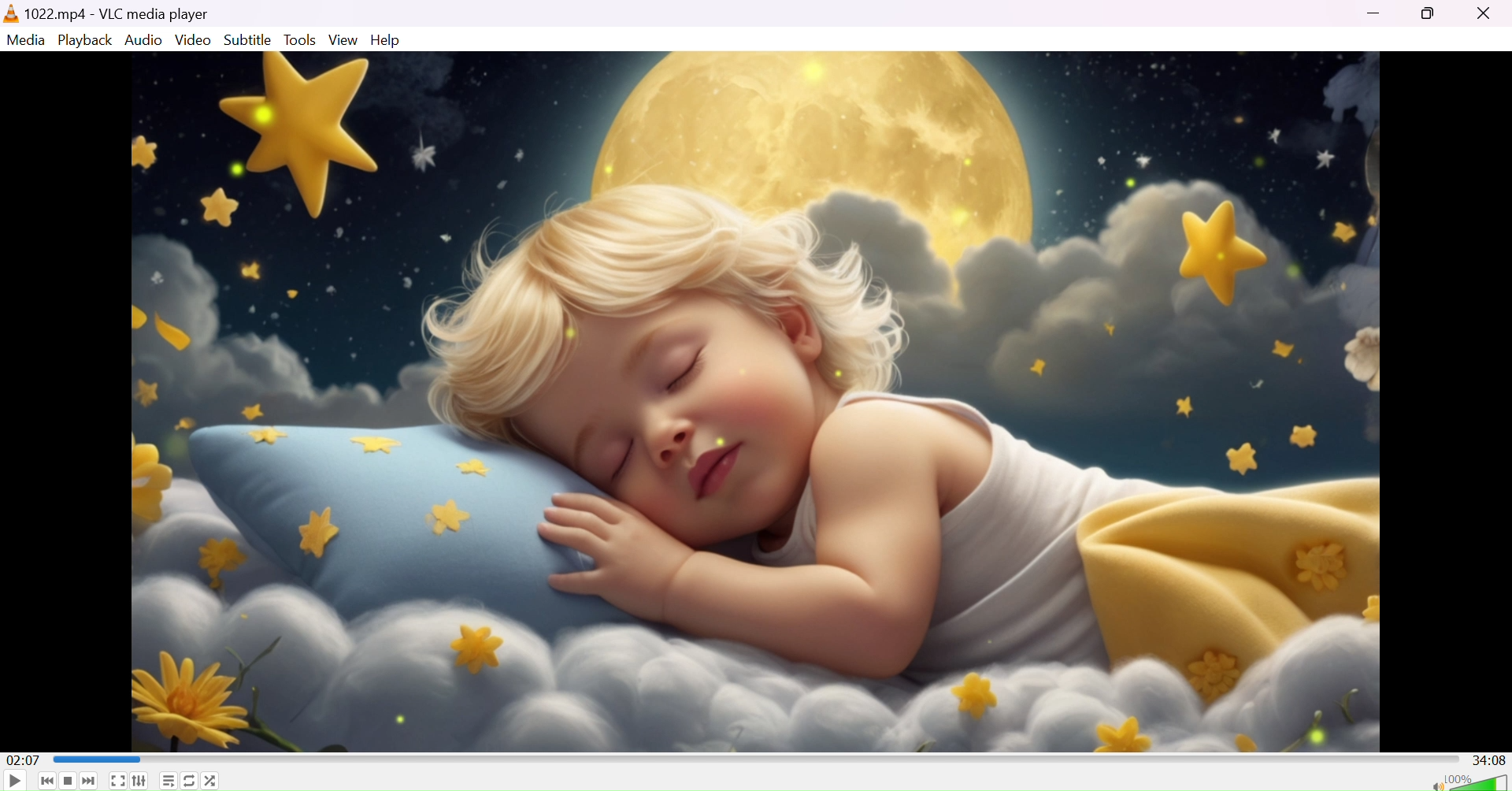 This screenshot has width=1512, height=791. I want to click on Random, so click(211, 781).